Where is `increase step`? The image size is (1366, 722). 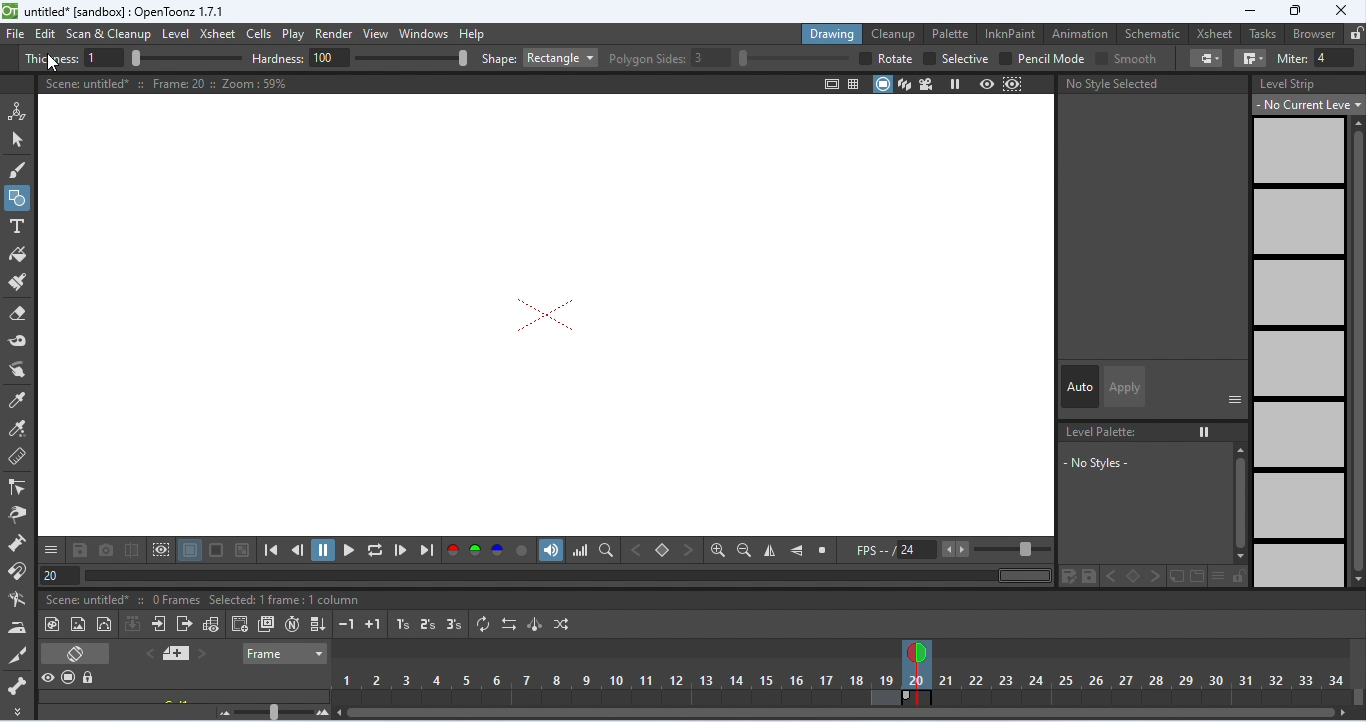
increase step is located at coordinates (374, 624).